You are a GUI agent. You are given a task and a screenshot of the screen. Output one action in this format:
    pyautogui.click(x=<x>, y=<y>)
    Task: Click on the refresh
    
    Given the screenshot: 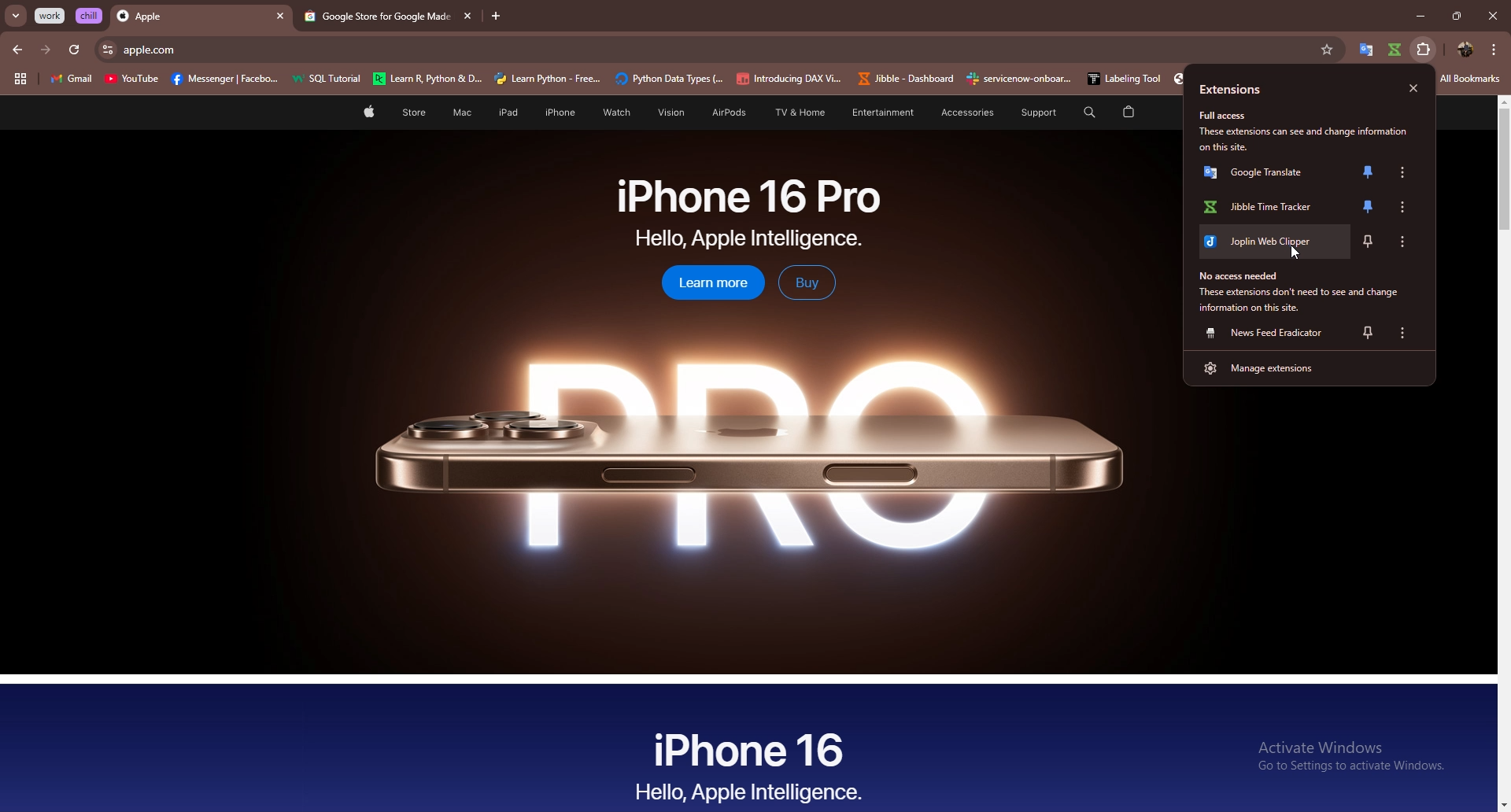 What is the action you would take?
    pyautogui.click(x=74, y=50)
    